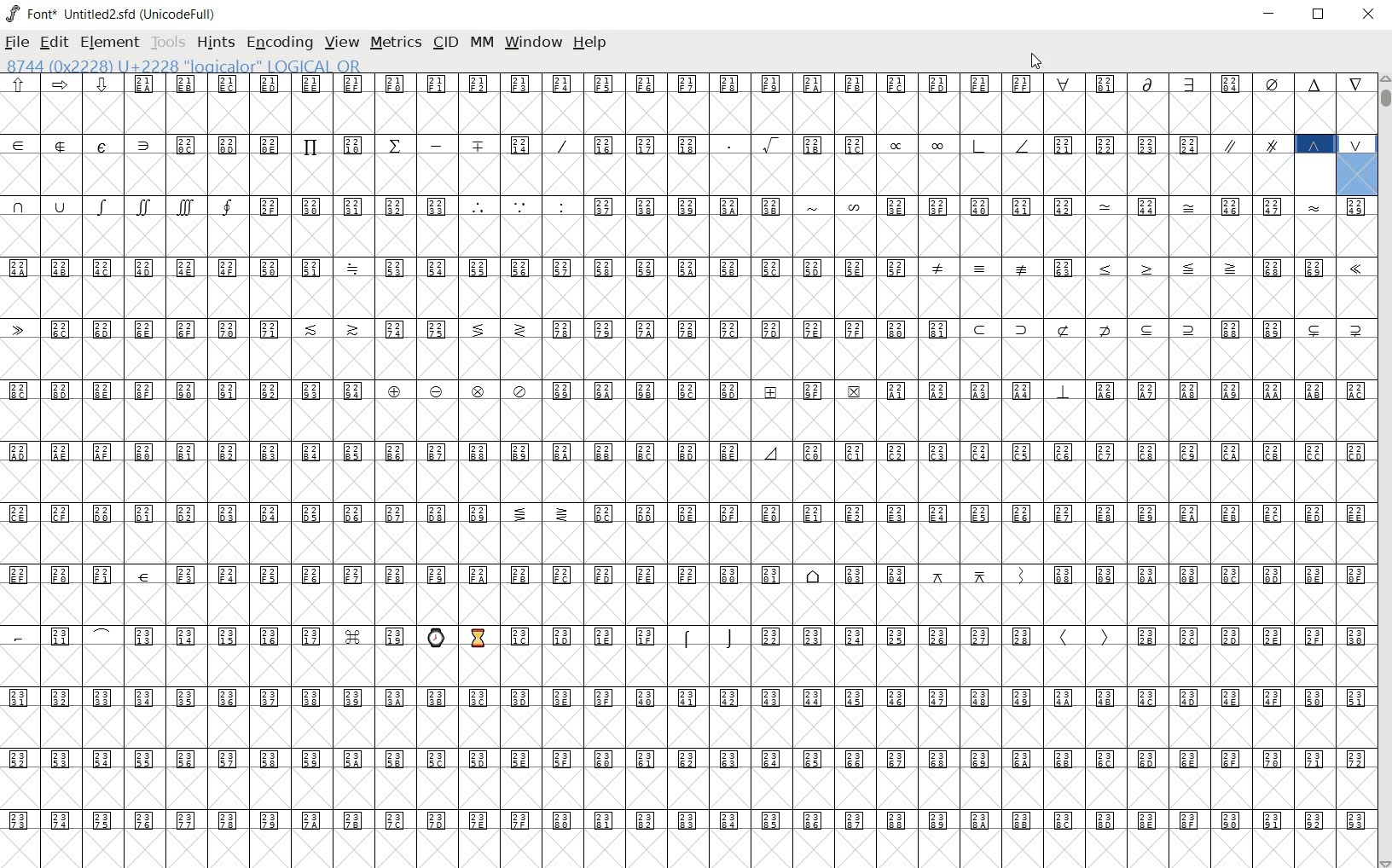  I want to click on scrollbar, so click(1383, 471).